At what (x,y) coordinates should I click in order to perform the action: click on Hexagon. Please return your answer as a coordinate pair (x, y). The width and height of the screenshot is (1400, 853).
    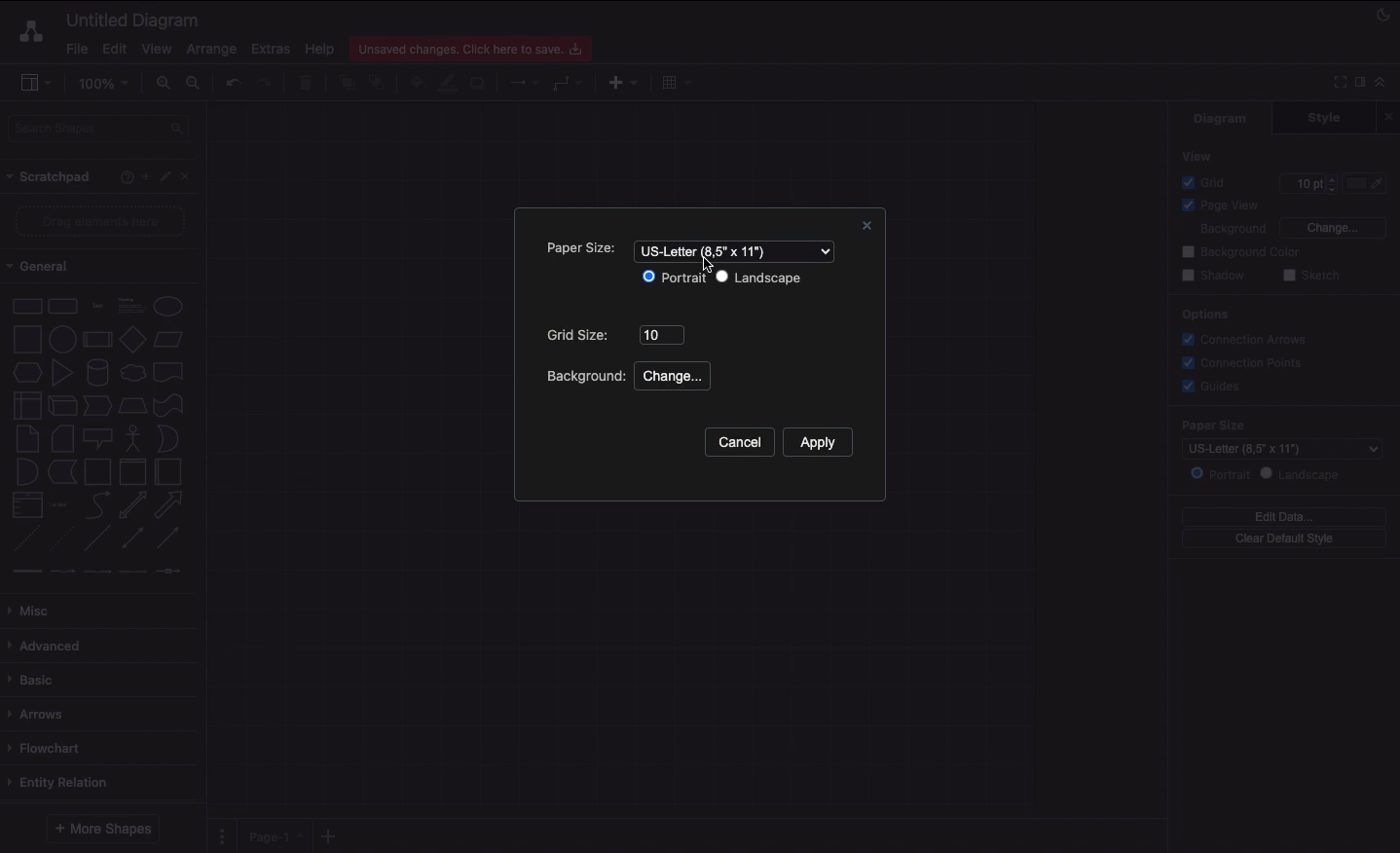
    Looking at the image, I should click on (26, 373).